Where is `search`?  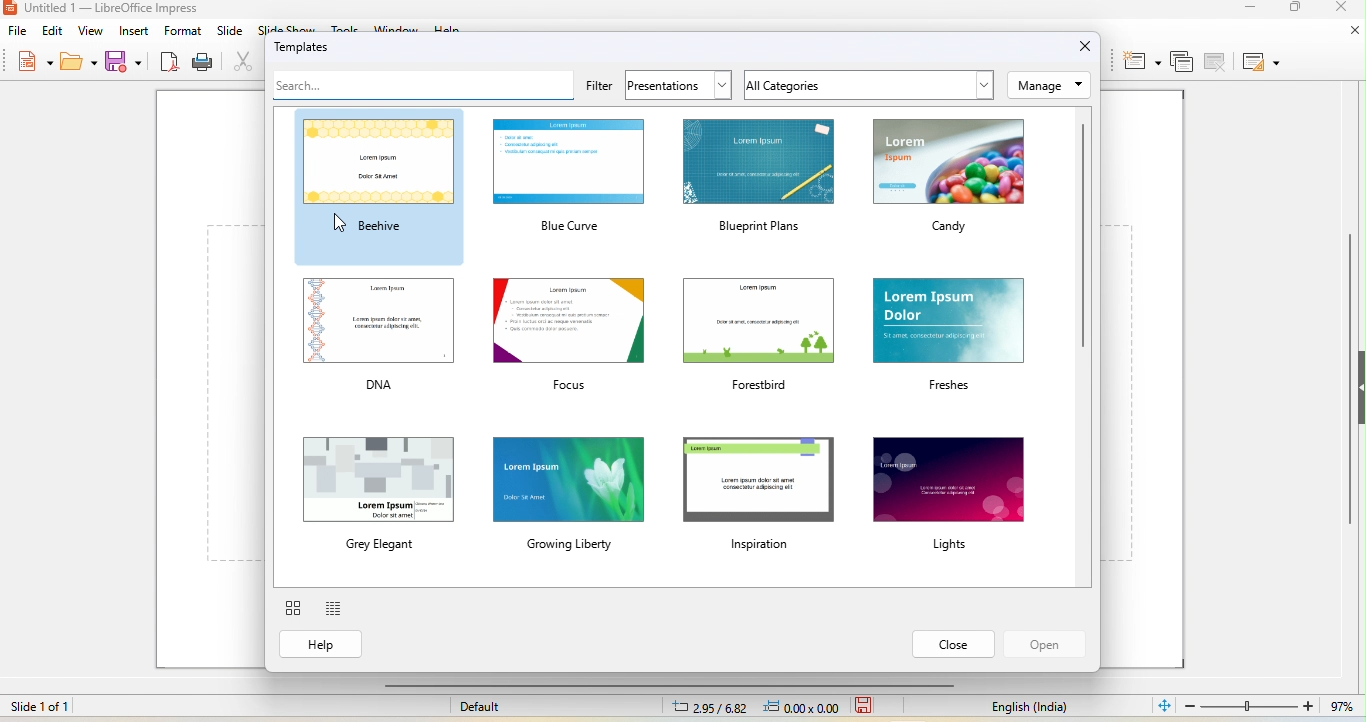
search is located at coordinates (422, 85).